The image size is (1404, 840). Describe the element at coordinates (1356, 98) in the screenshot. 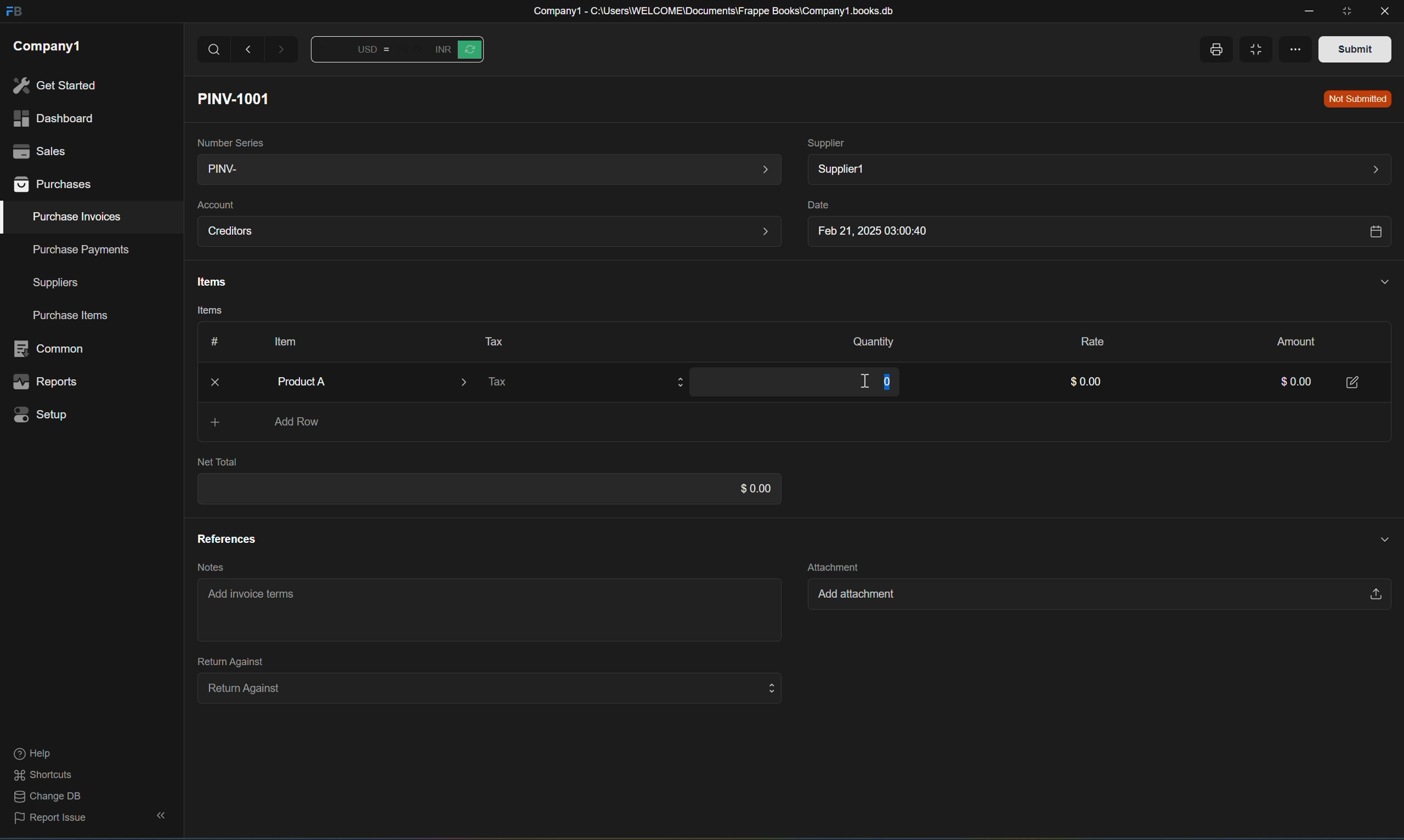

I see `Not Submitted` at that location.